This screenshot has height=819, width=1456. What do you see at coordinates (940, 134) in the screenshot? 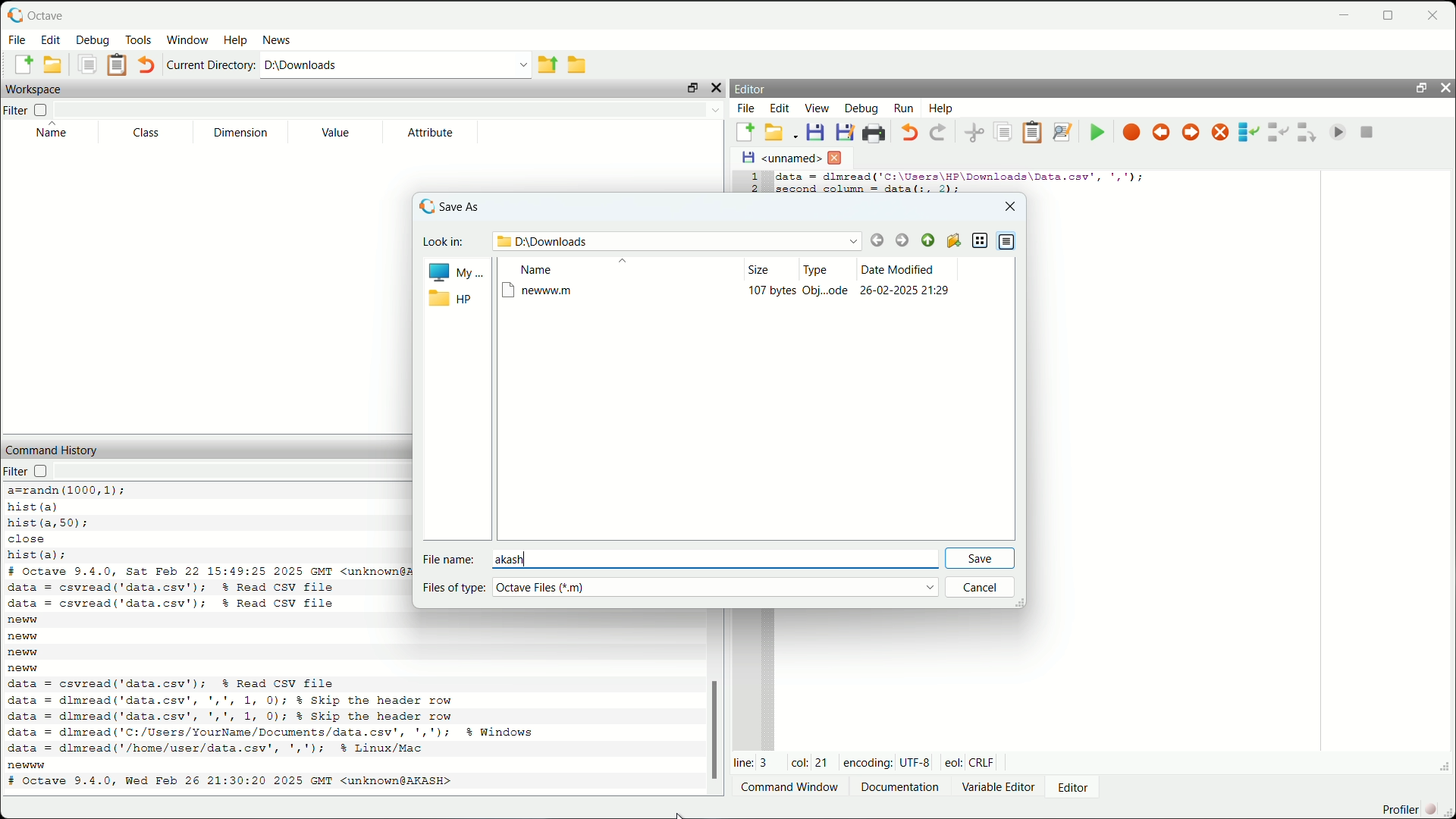
I see `redo` at bounding box center [940, 134].